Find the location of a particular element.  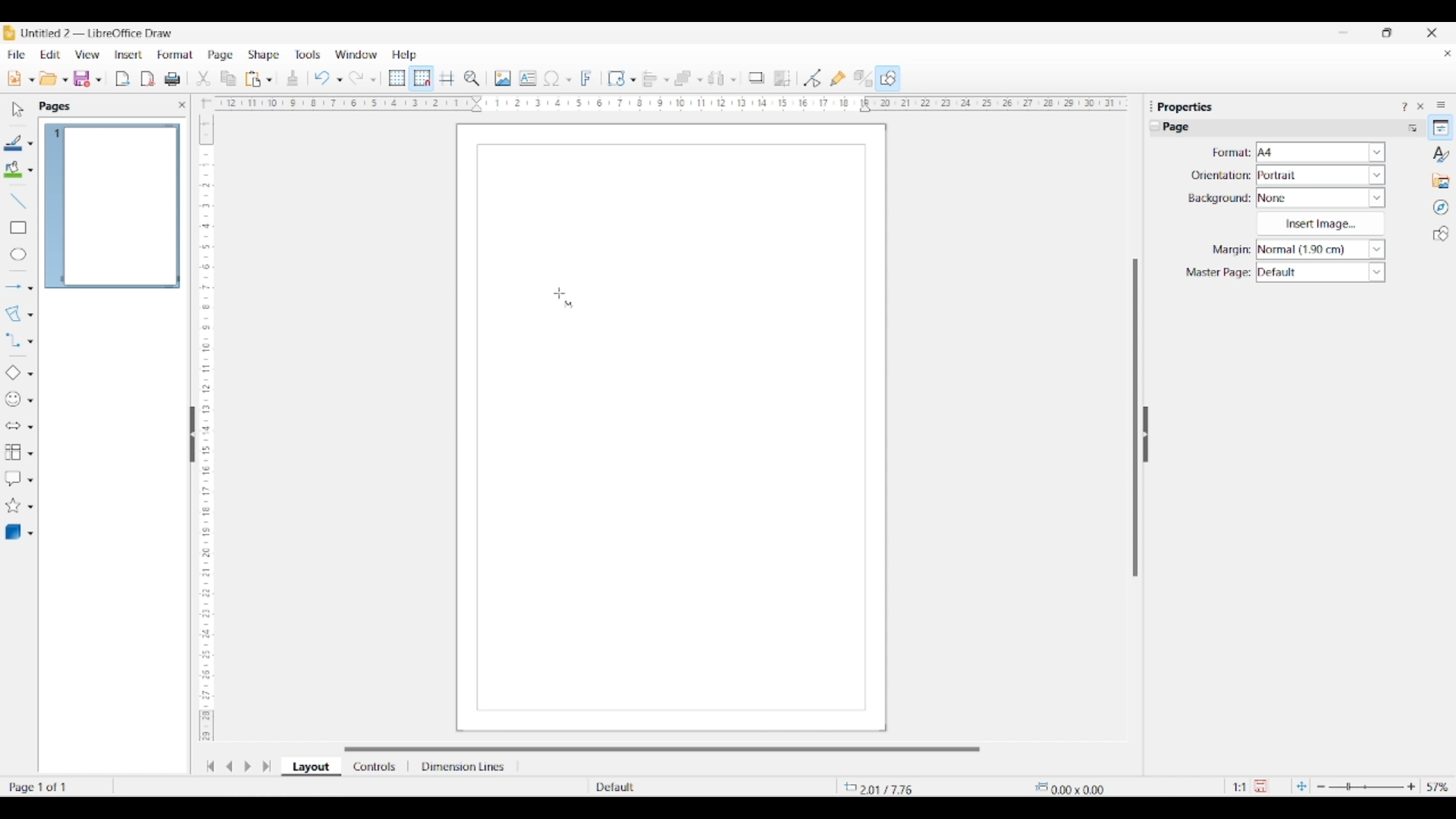

Selected save option is located at coordinates (83, 78).